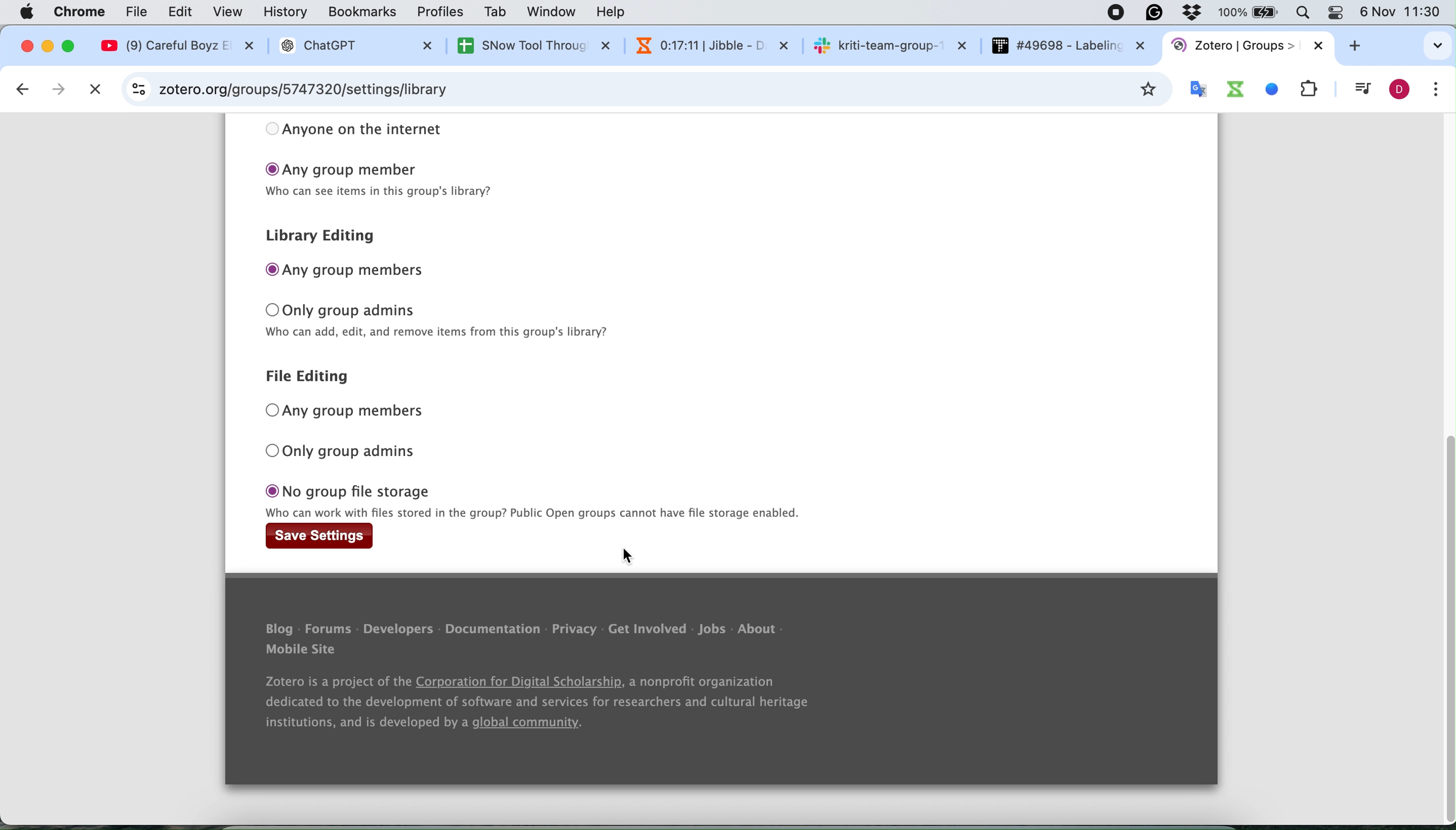 The width and height of the screenshot is (1456, 830). Describe the element at coordinates (543, 512) in the screenshot. I see `text` at that location.